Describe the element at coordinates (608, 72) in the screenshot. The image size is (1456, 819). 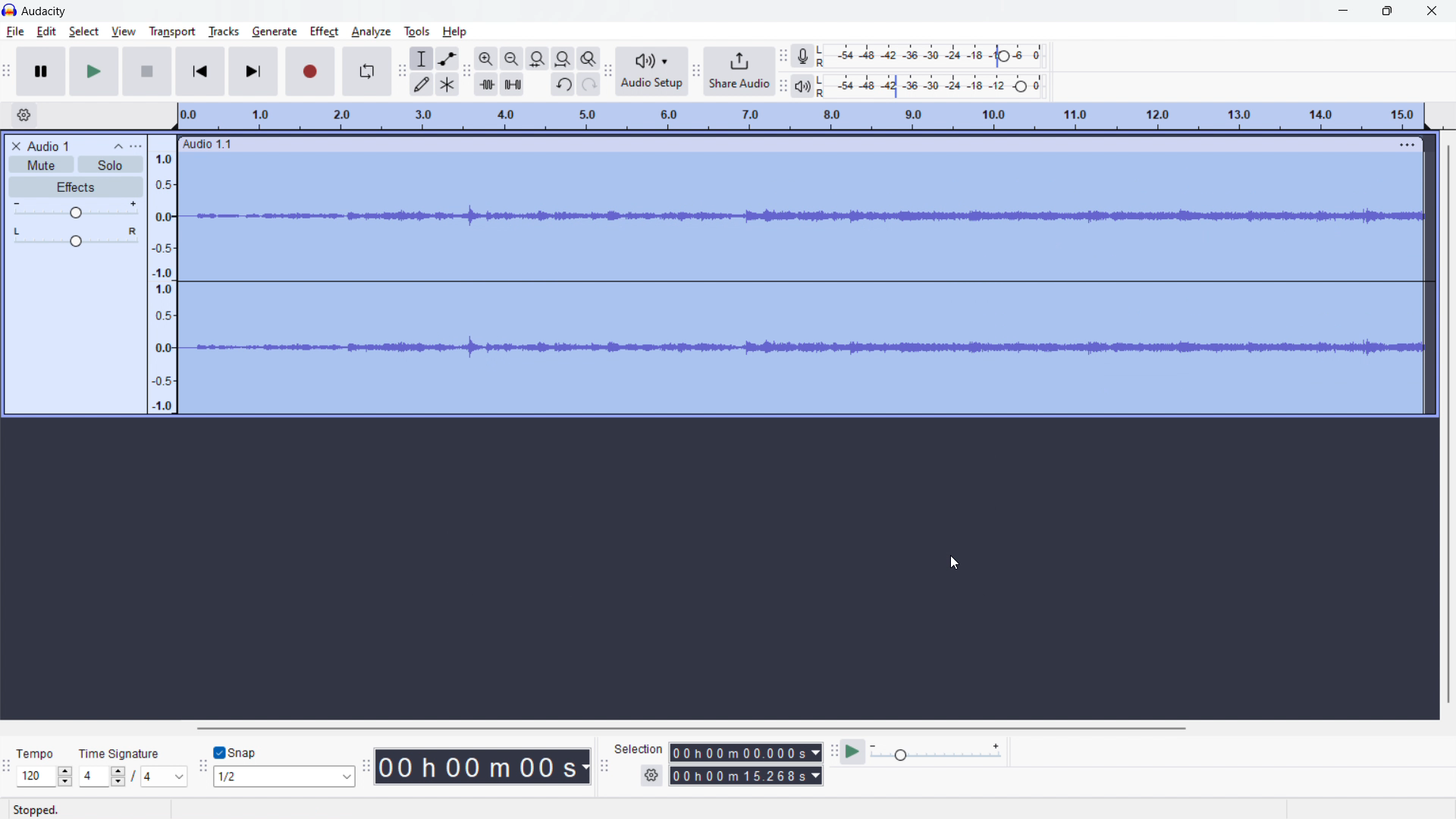
I see `Audio setup toolbar` at that location.